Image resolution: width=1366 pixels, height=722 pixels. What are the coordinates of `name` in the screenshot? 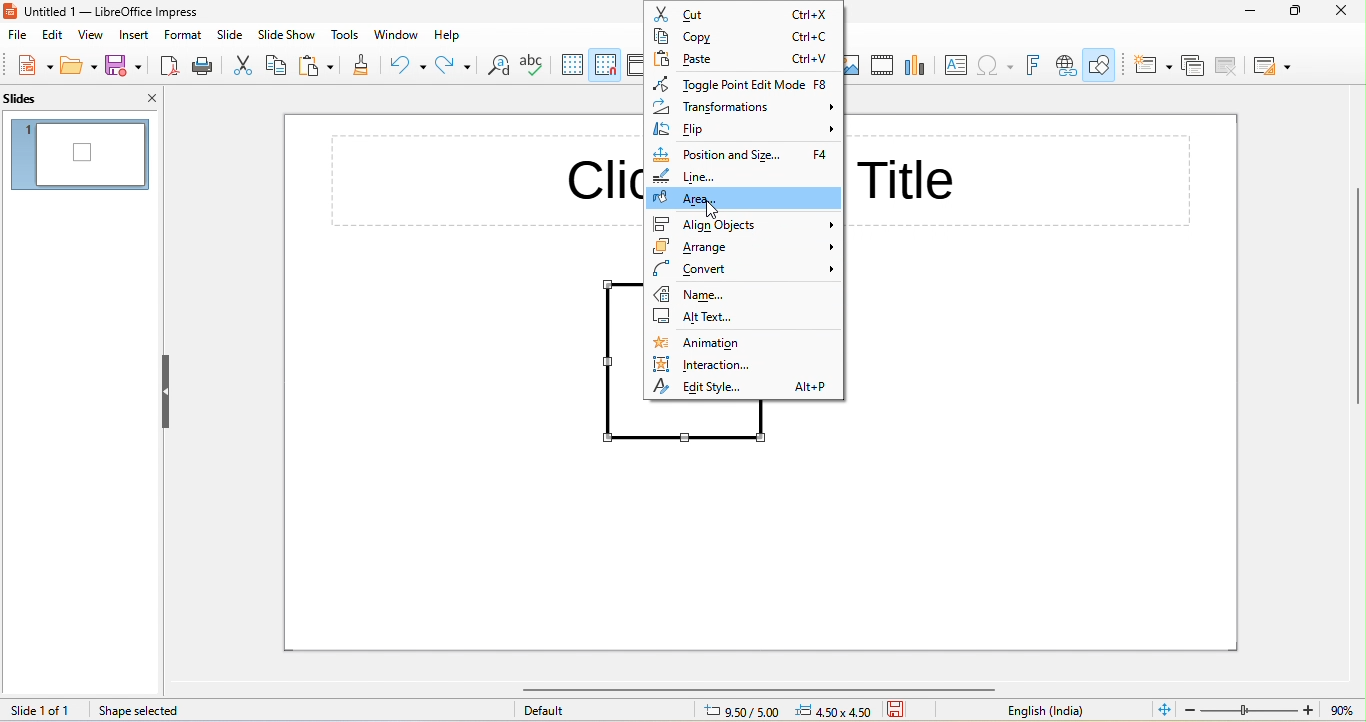 It's located at (742, 294).